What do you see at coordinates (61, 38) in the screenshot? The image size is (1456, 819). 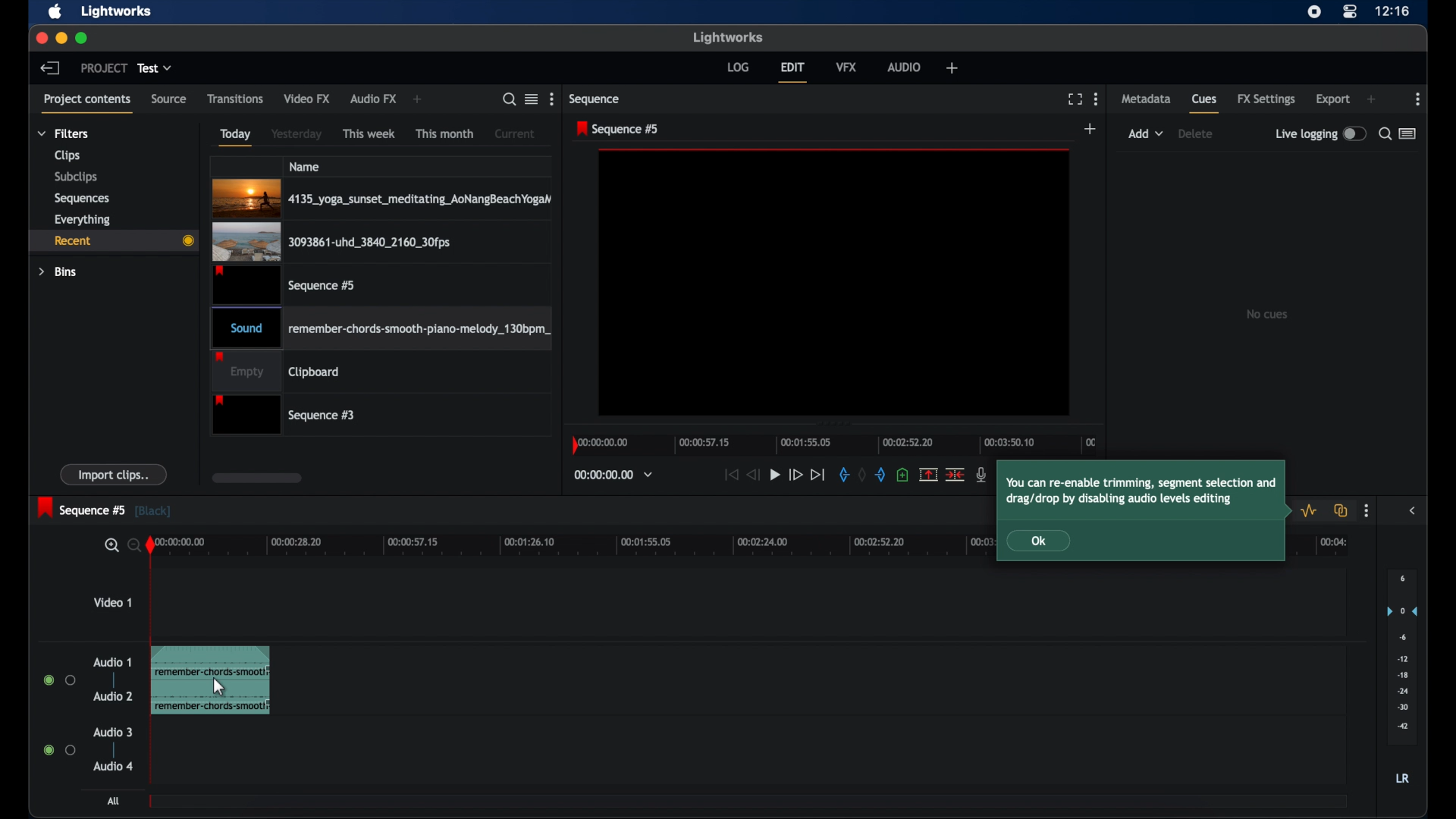 I see `minimize` at bounding box center [61, 38].